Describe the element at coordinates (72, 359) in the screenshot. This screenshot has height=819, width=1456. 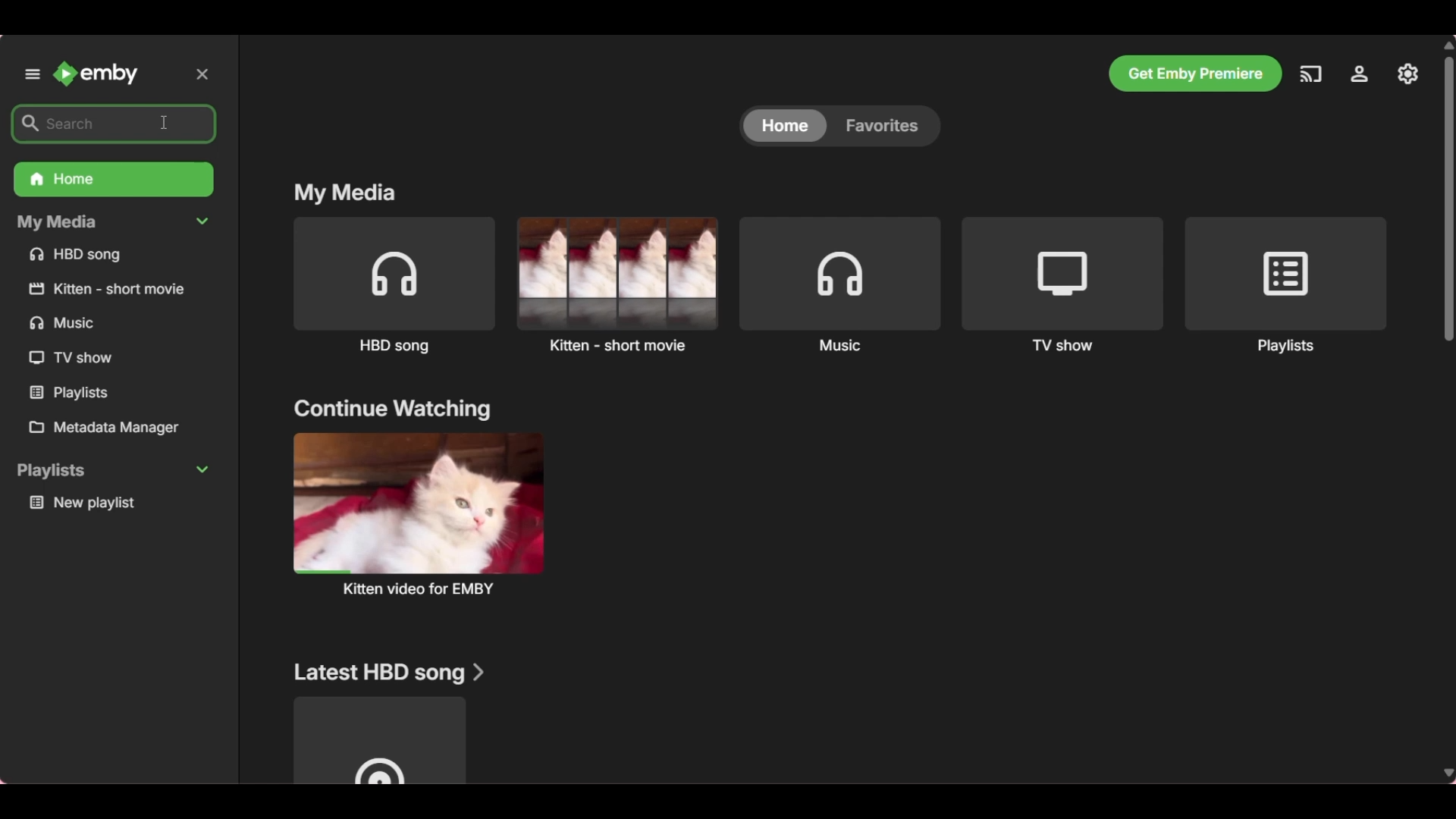
I see `TV show` at that location.